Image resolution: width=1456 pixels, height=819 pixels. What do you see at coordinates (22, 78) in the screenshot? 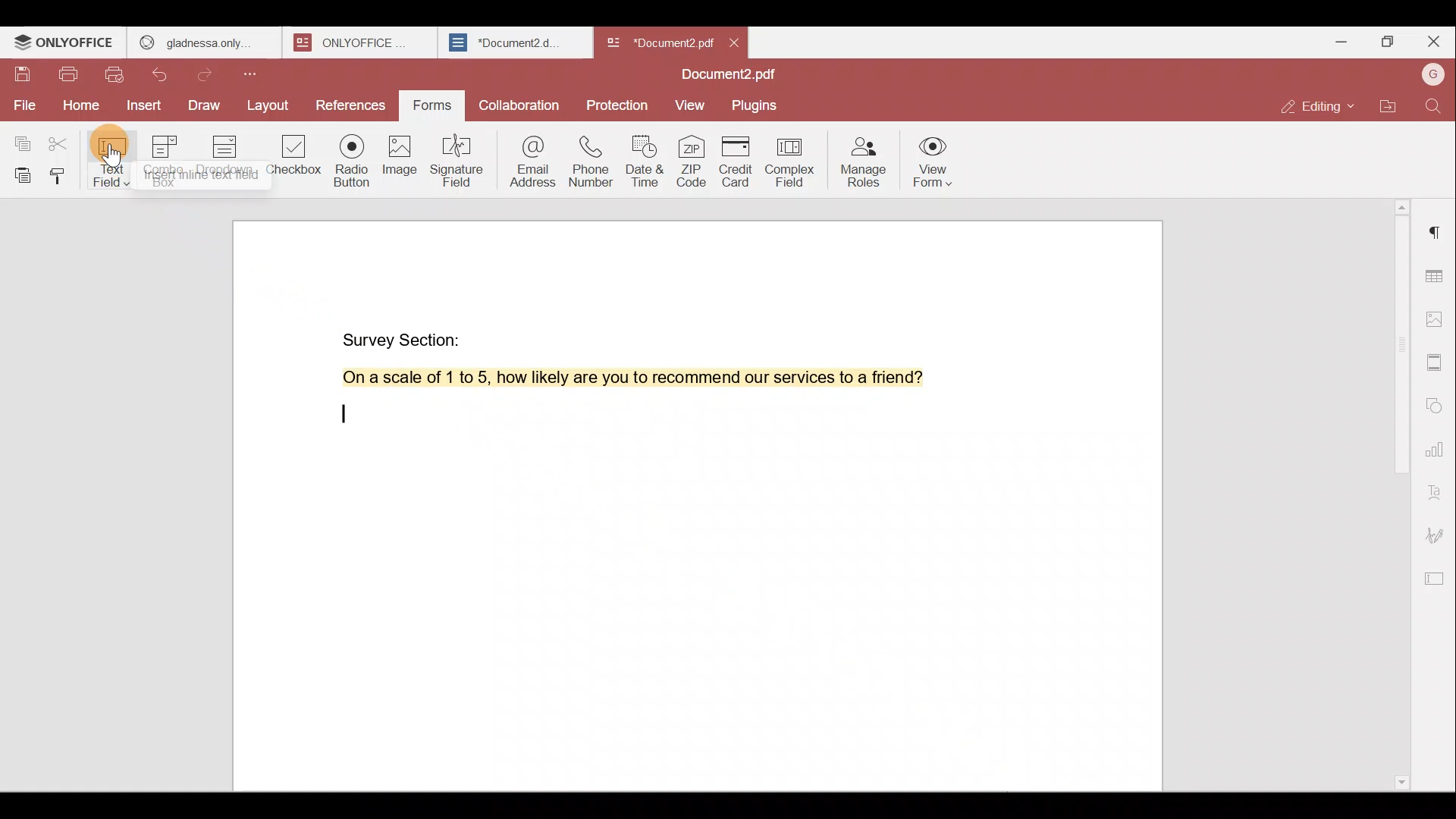
I see `Save` at bounding box center [22, 78].